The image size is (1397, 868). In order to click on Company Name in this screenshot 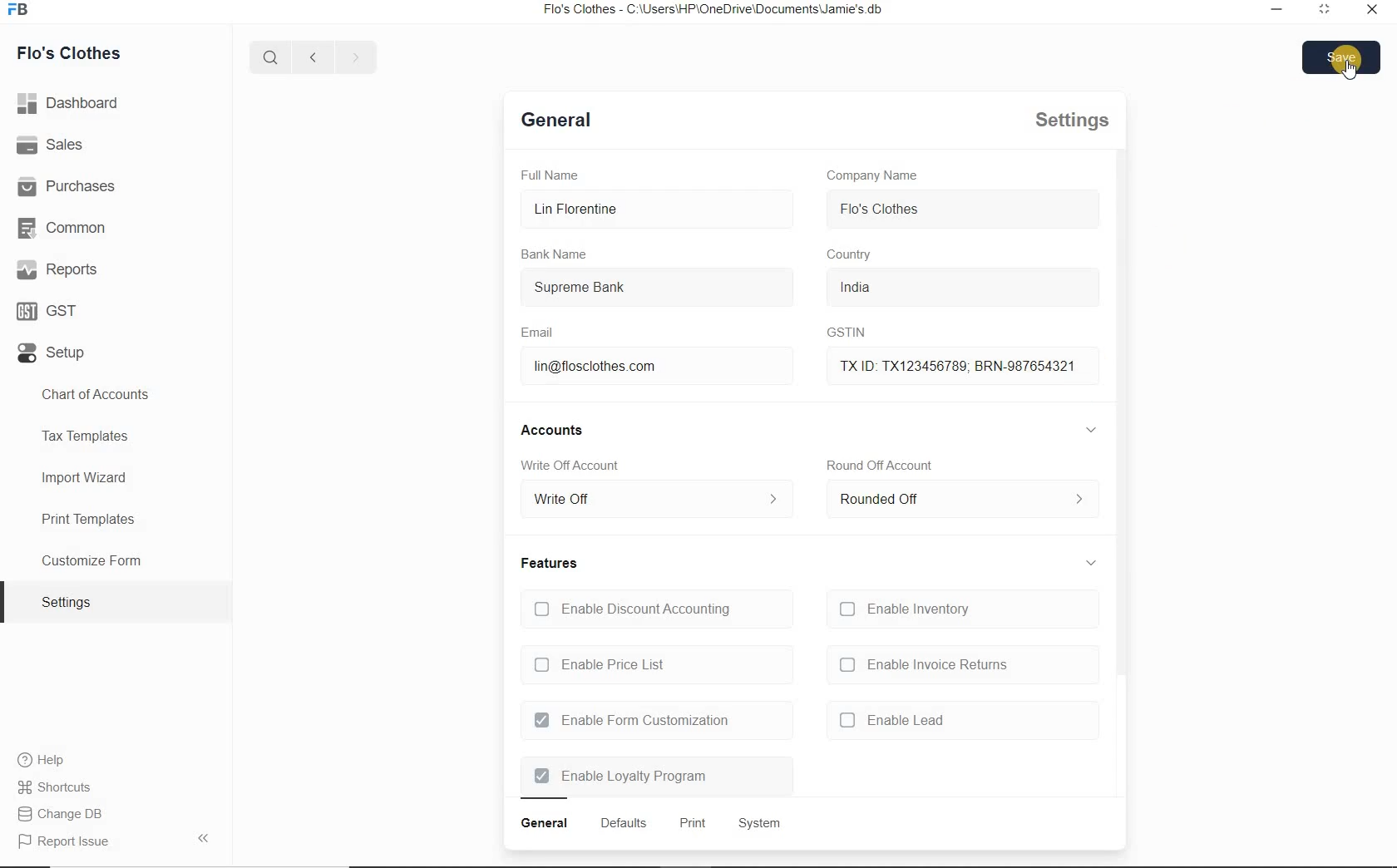, I will do `click(873, 175)`.